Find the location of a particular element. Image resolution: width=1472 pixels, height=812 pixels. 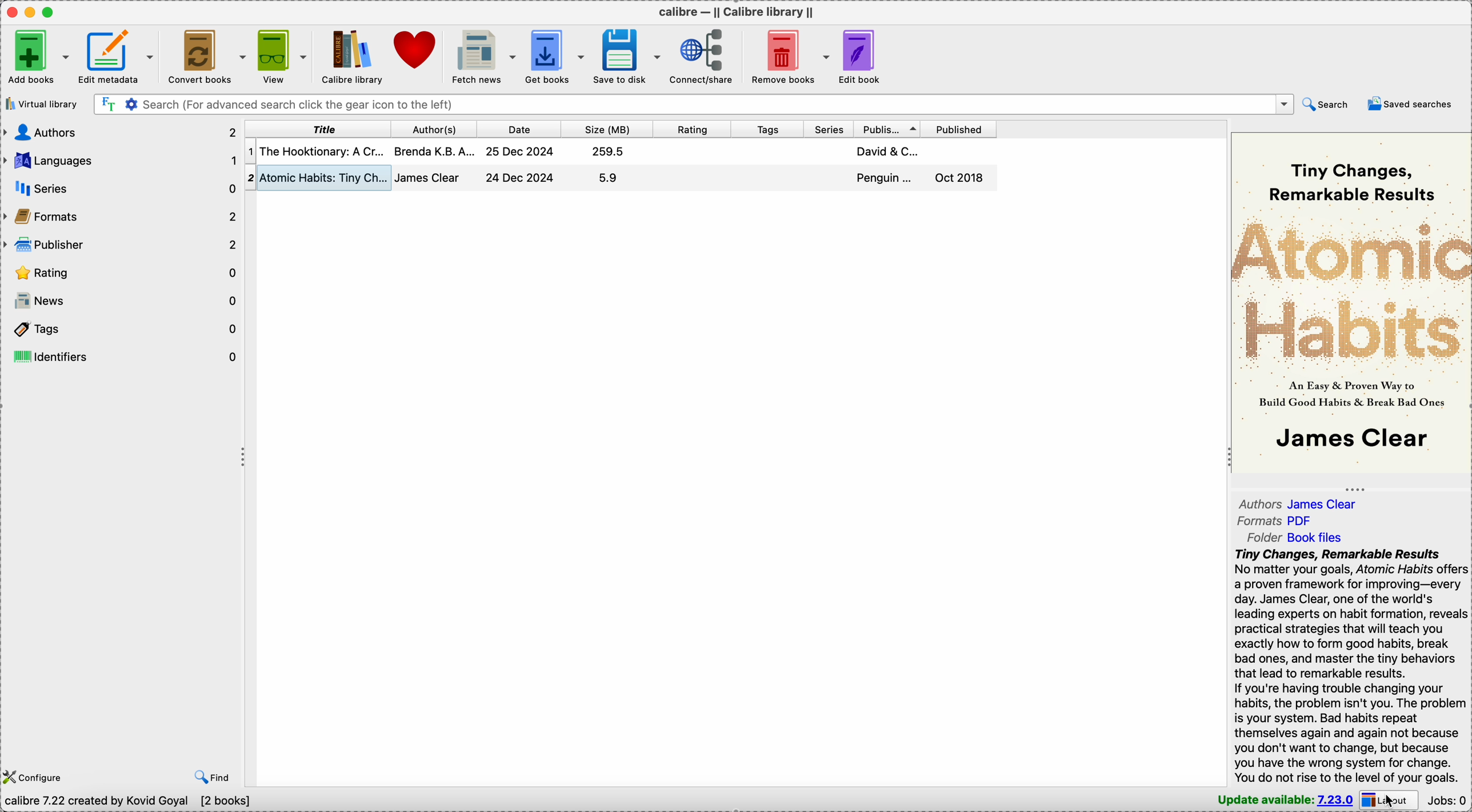

2 is located at coordinates (250, 179).